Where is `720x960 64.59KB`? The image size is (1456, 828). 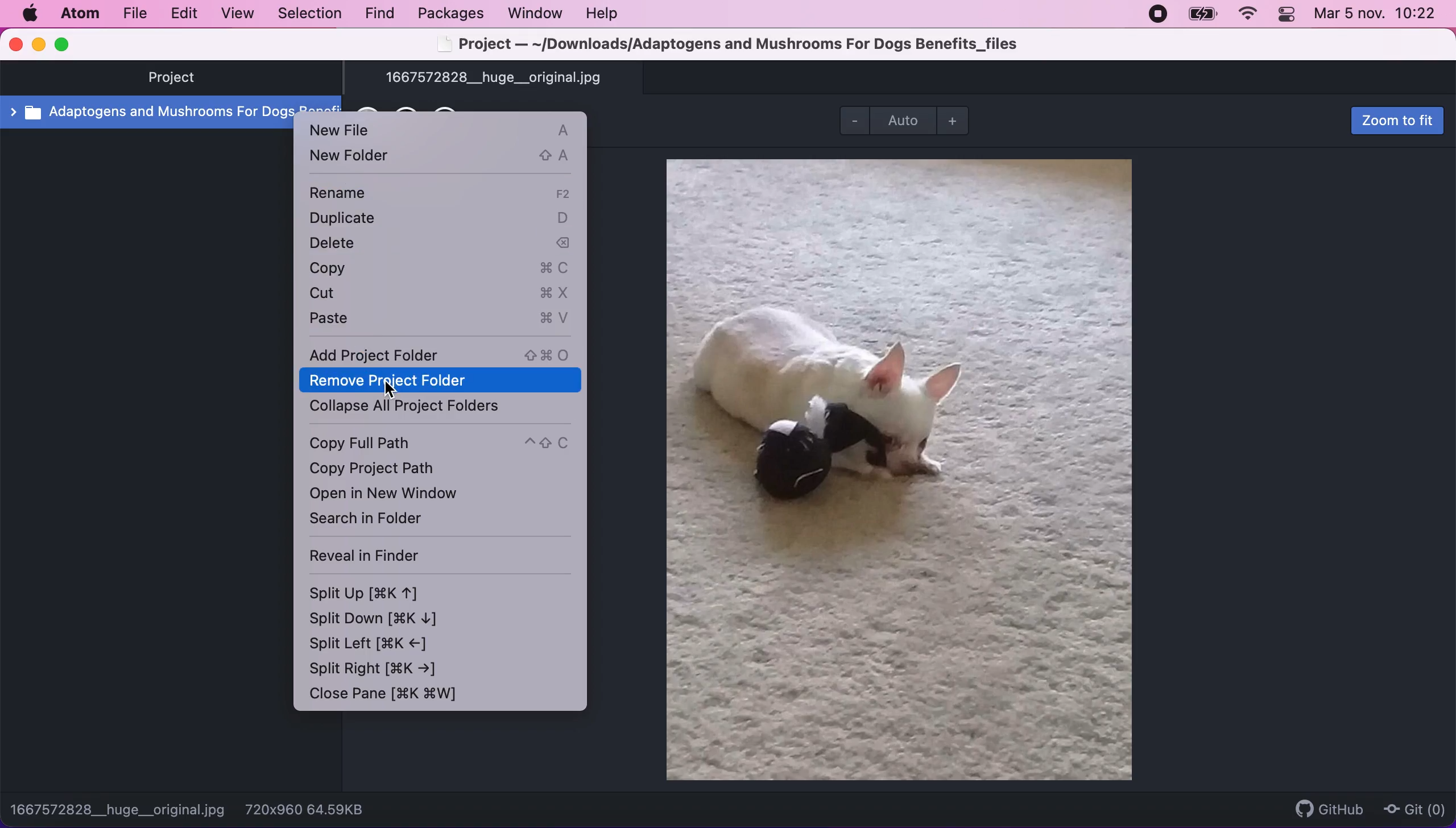
720x960 64.59KB is located at coordinates (313, 809).